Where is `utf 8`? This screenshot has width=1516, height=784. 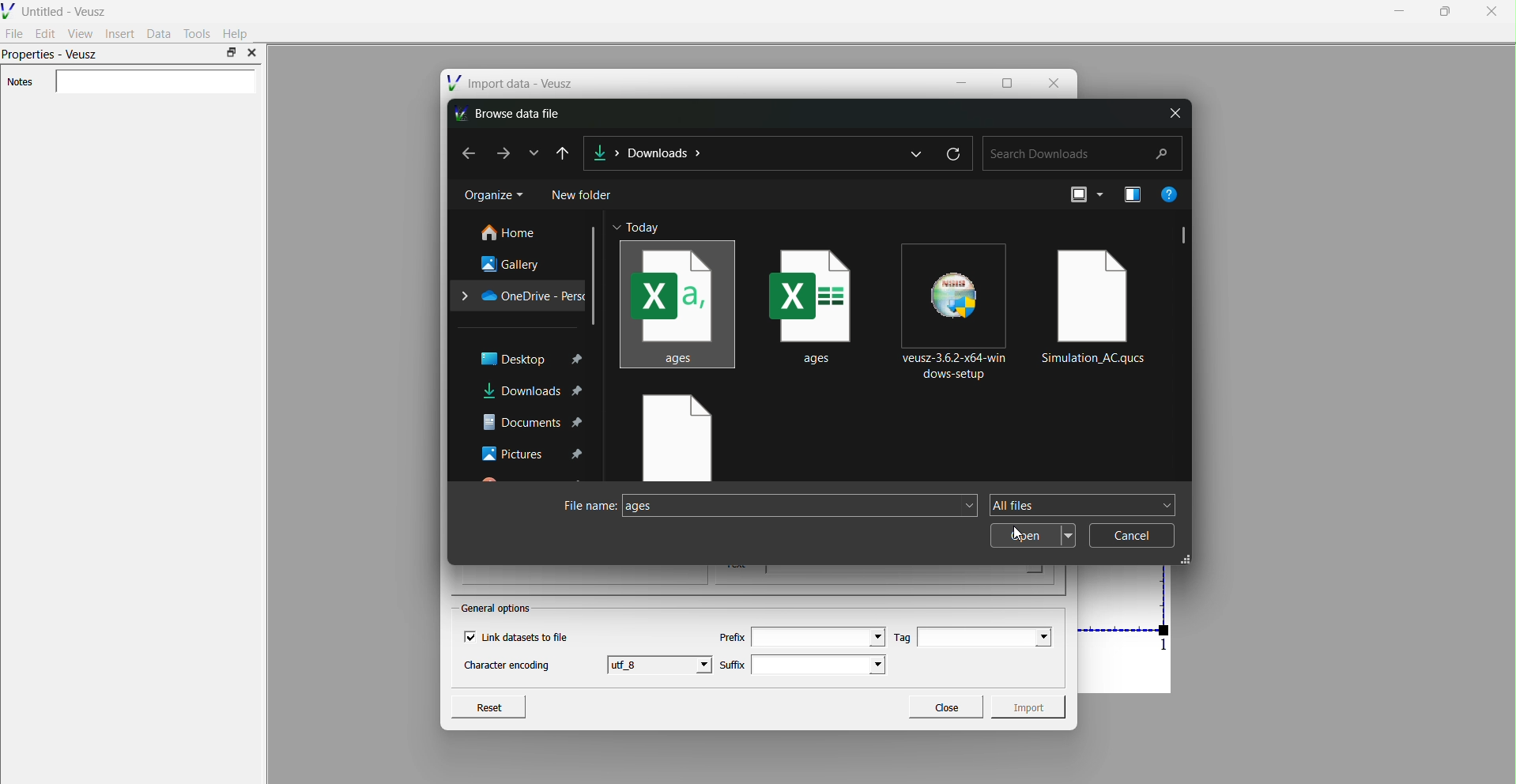 utf 8 is located at coordinates (662, 664).